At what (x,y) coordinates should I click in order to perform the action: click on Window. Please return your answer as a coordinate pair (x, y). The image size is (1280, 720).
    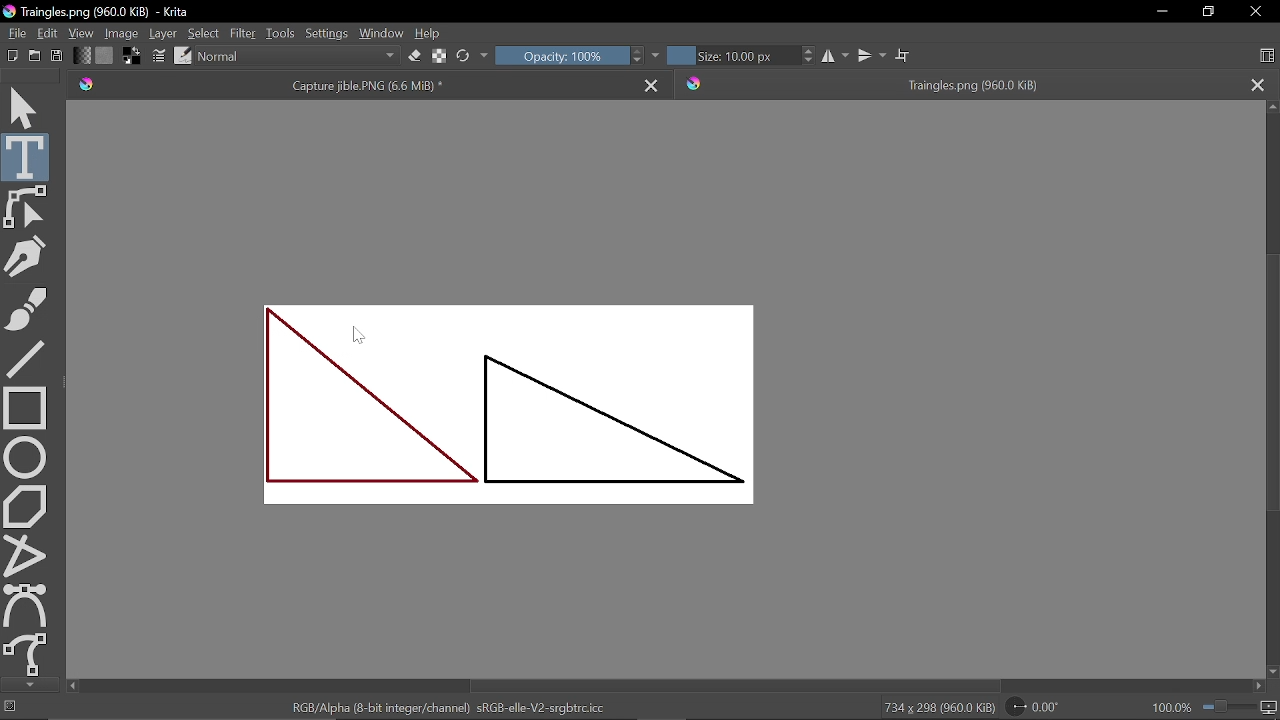
    Looking at the image, I should click on (382, 35).